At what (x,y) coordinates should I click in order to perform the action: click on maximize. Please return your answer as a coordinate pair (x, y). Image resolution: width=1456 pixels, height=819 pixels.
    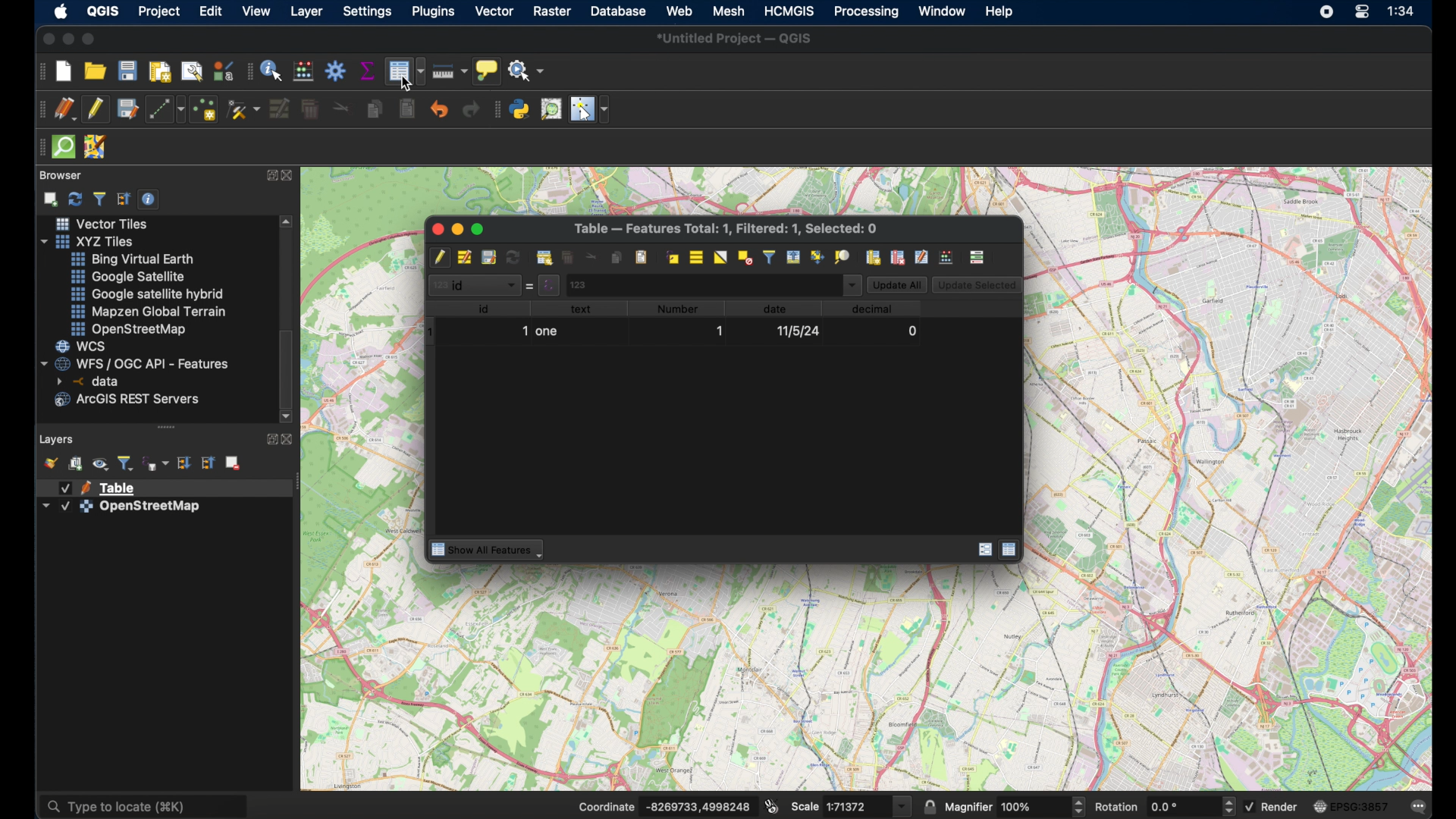
    Looking at the image, I should click on (92, 39).